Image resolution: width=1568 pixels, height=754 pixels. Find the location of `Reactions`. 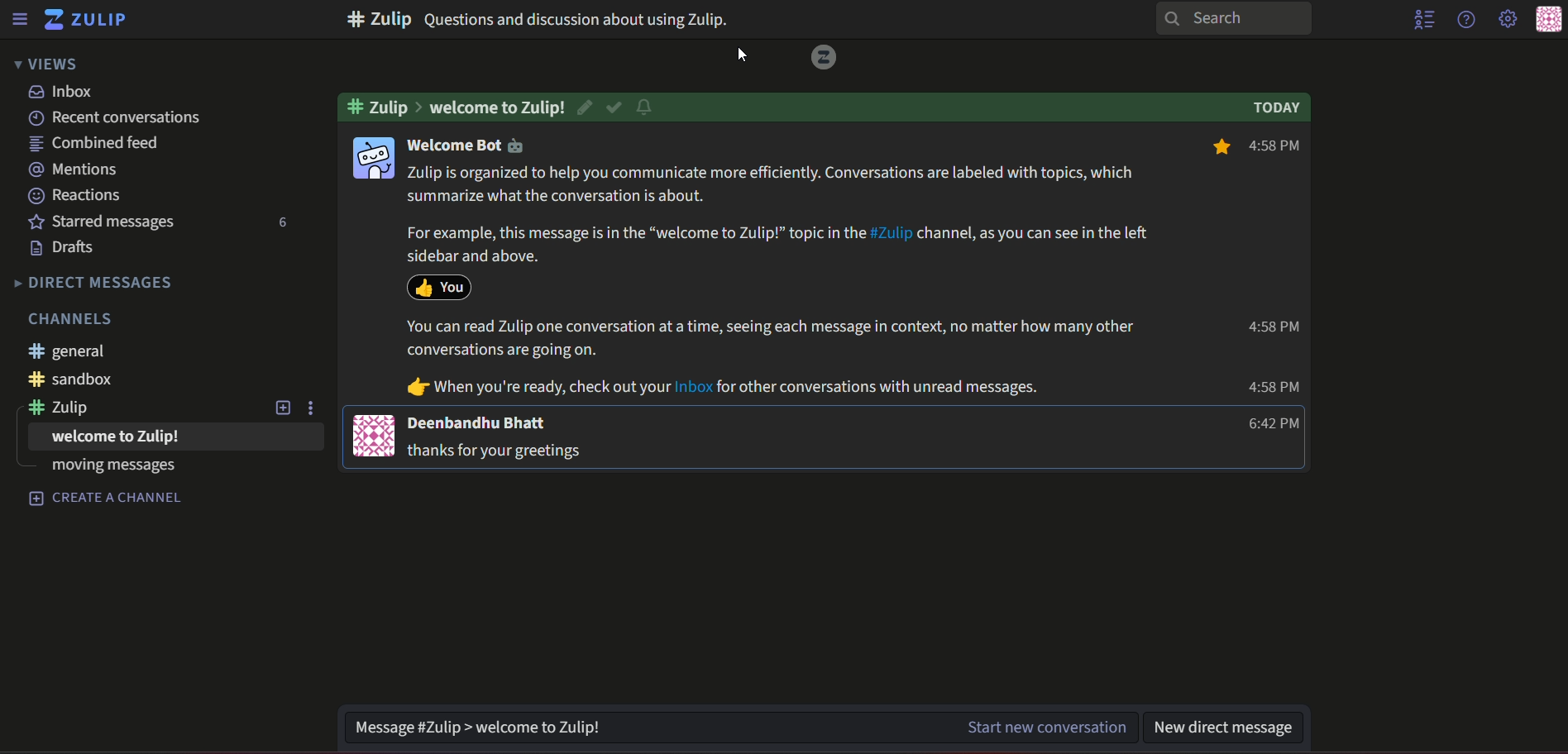

Reactions is located at coordinates (75, 193).